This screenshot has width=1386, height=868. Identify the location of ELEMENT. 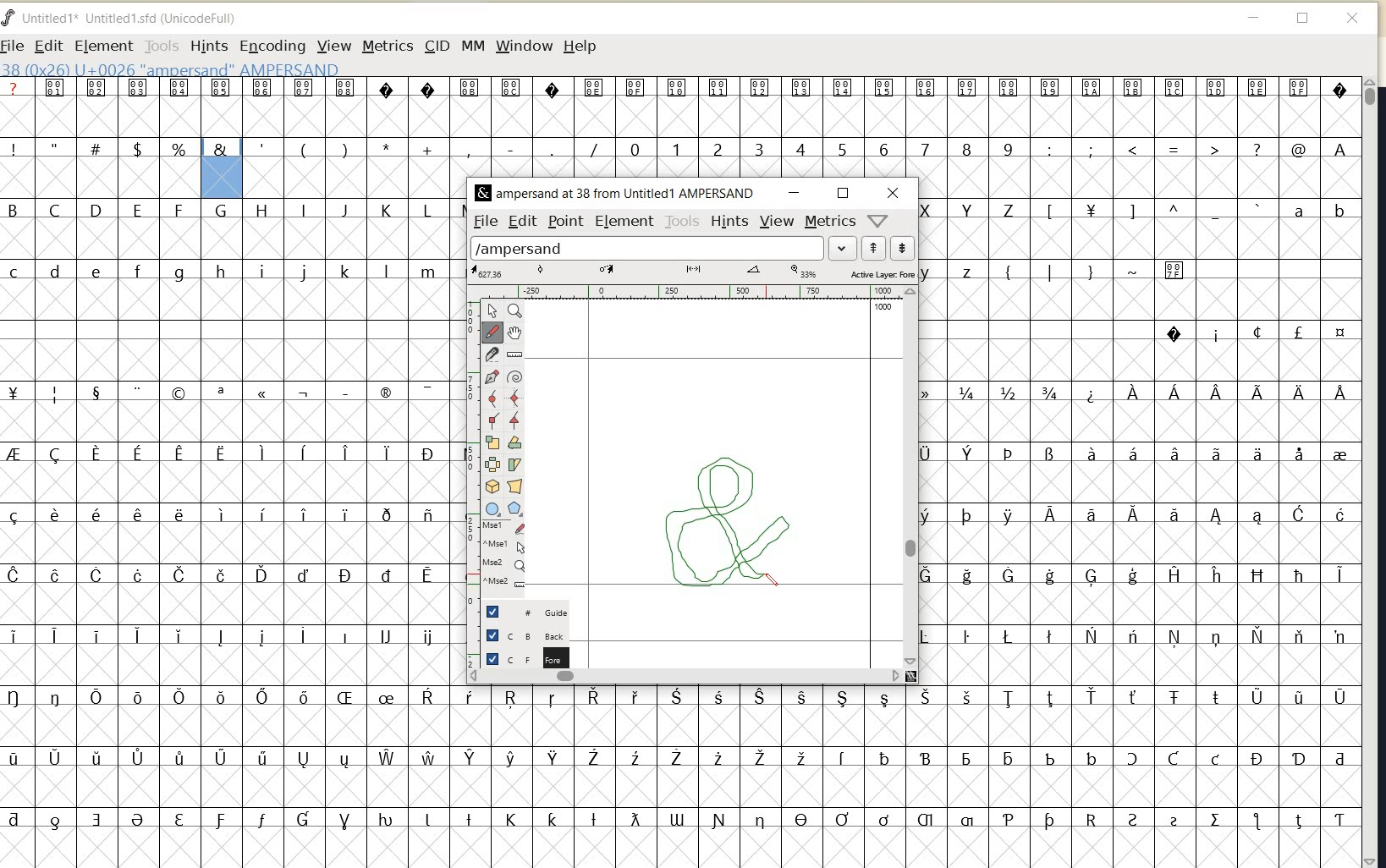
(101, 46).